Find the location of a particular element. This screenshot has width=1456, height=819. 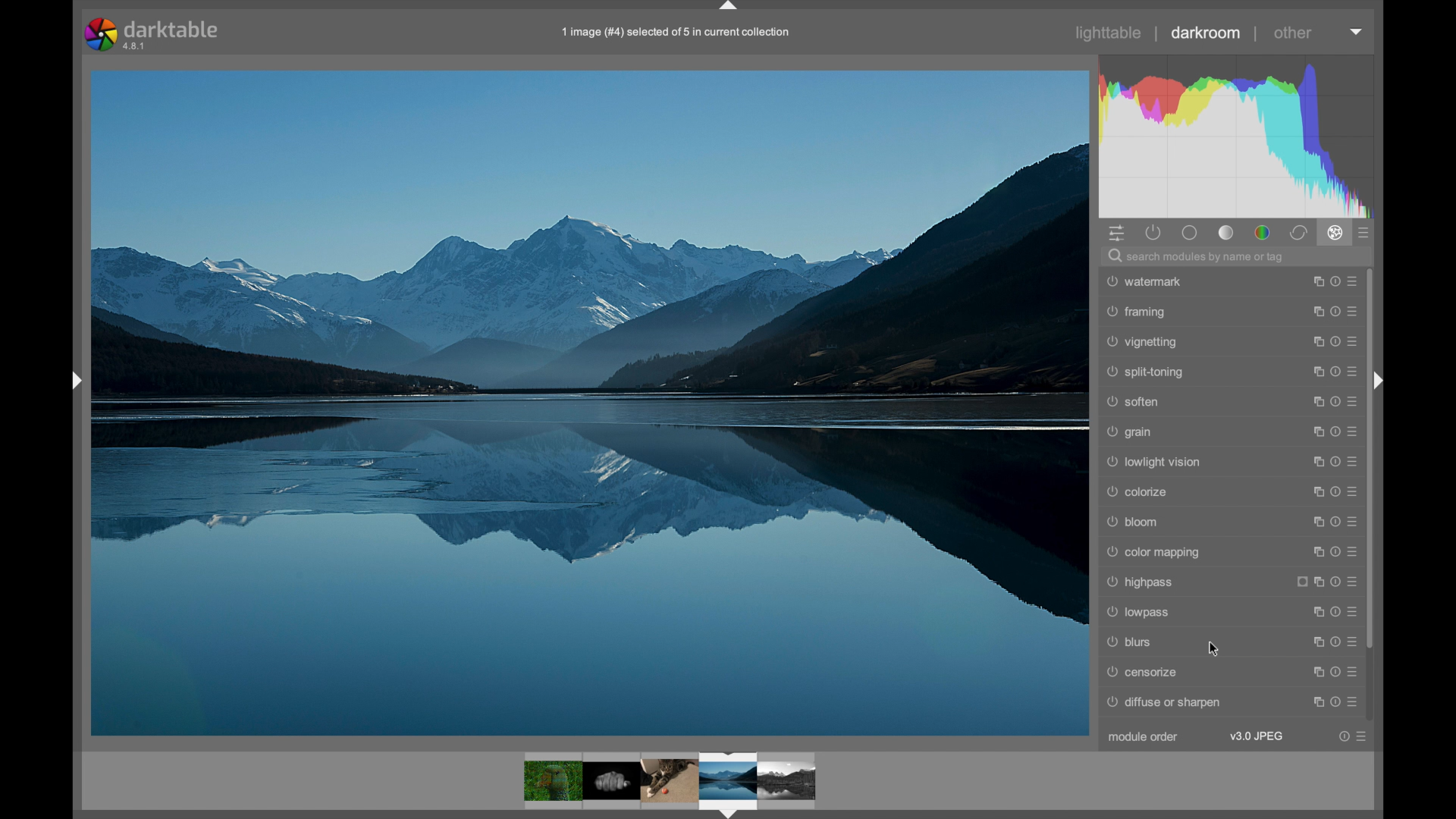

help is located at coordinates (1333, 672).